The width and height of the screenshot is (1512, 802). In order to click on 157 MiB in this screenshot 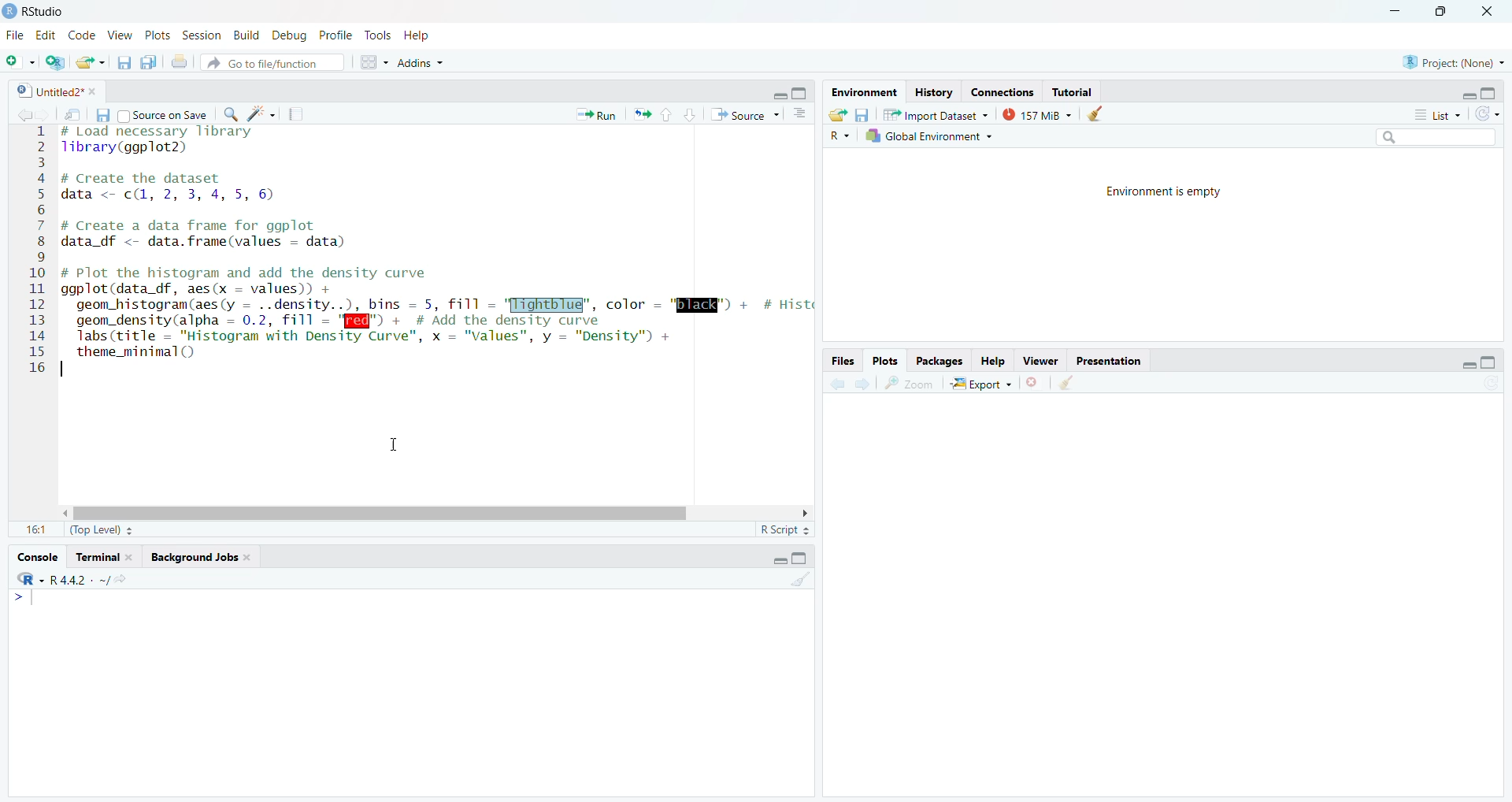, I will do `click(1036, 114)`.